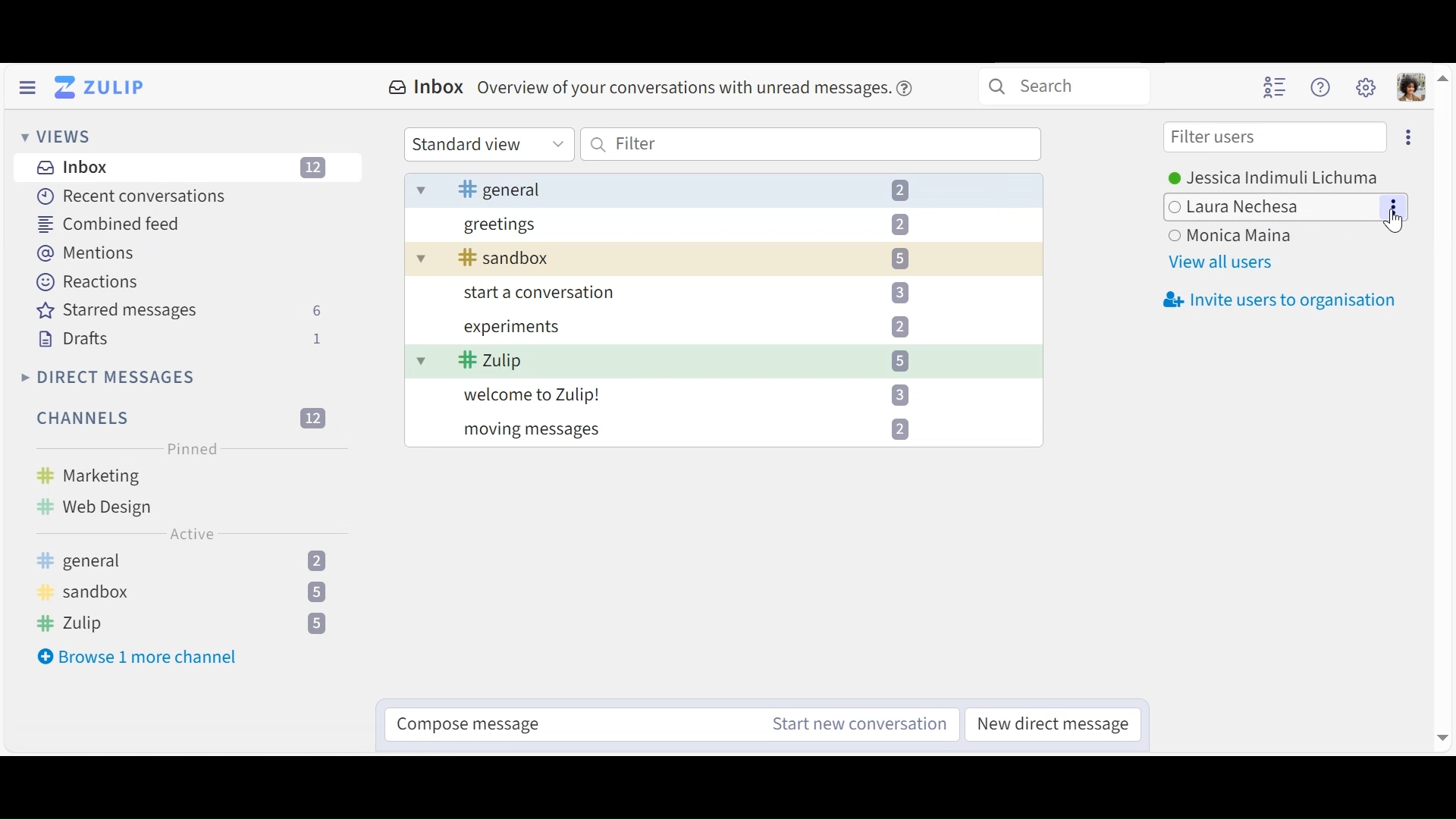 This screenshot has height=819, width=1456. Describe the element at coordinates (1367, 88) in the screenshot. I see `Main menu` at that location.